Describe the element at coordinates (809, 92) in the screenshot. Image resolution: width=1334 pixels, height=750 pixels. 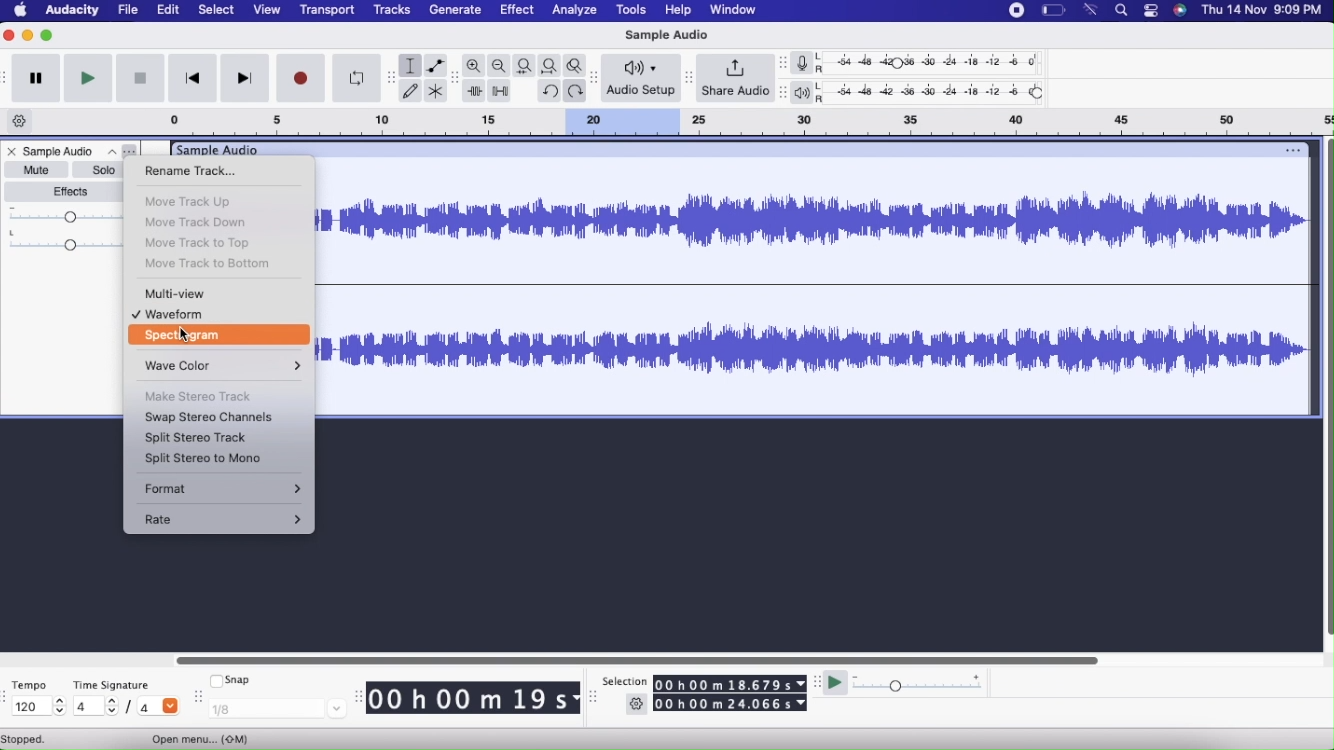
I see `Playback meter` at that location.